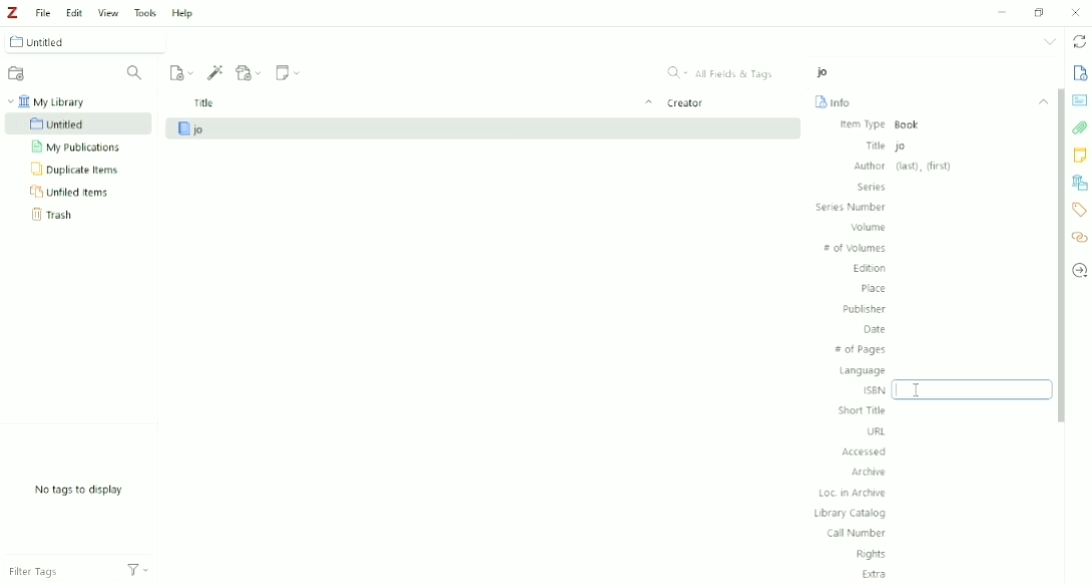 The height and width of the screenshot is (584, 1092). Describe the element at coordinates (861, 349) in the screenshot. I see `# of Pages` at that location.